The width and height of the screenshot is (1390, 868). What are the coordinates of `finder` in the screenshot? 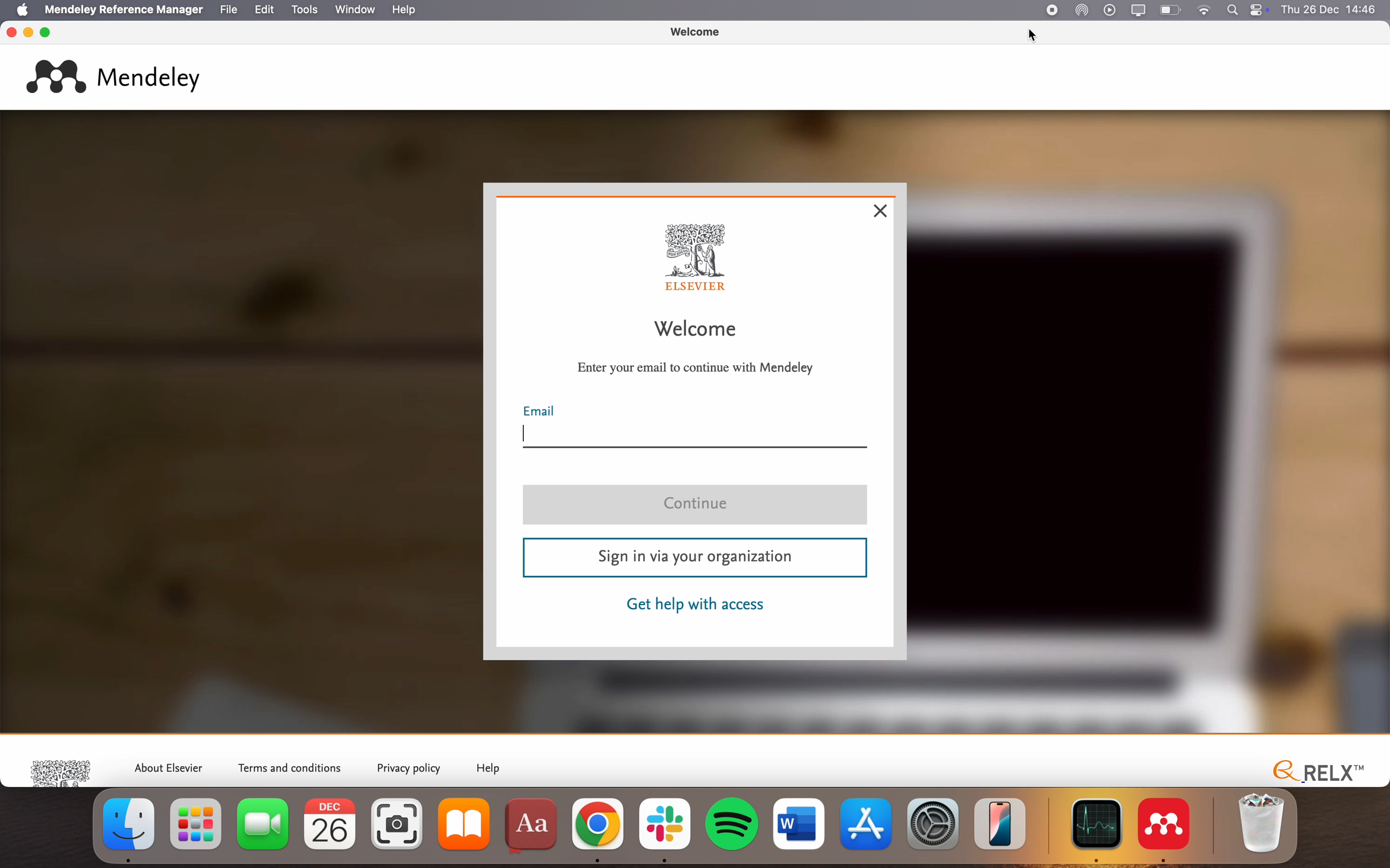 It's located at (132, 829).